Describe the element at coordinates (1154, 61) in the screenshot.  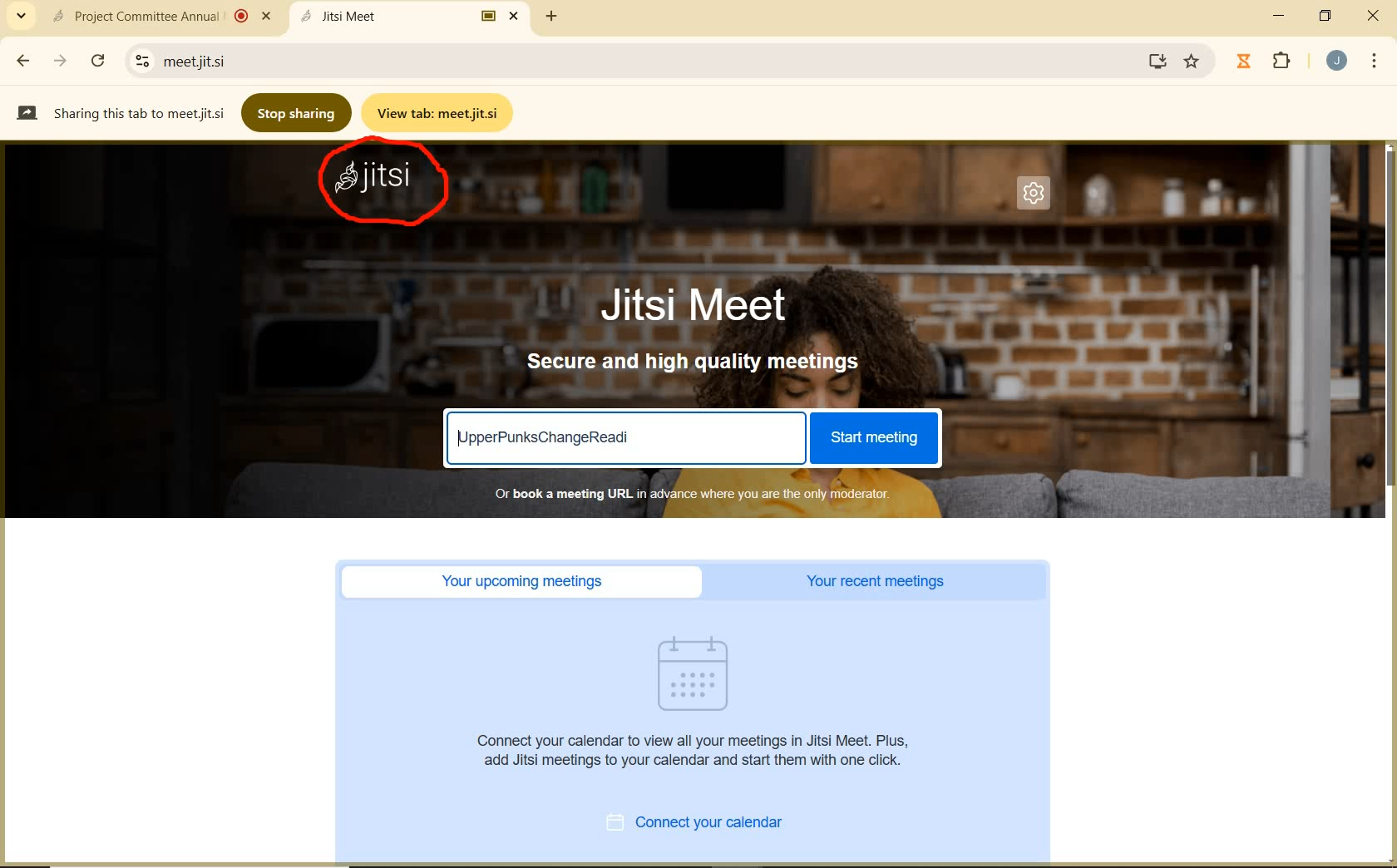
I see `screen` at that location.